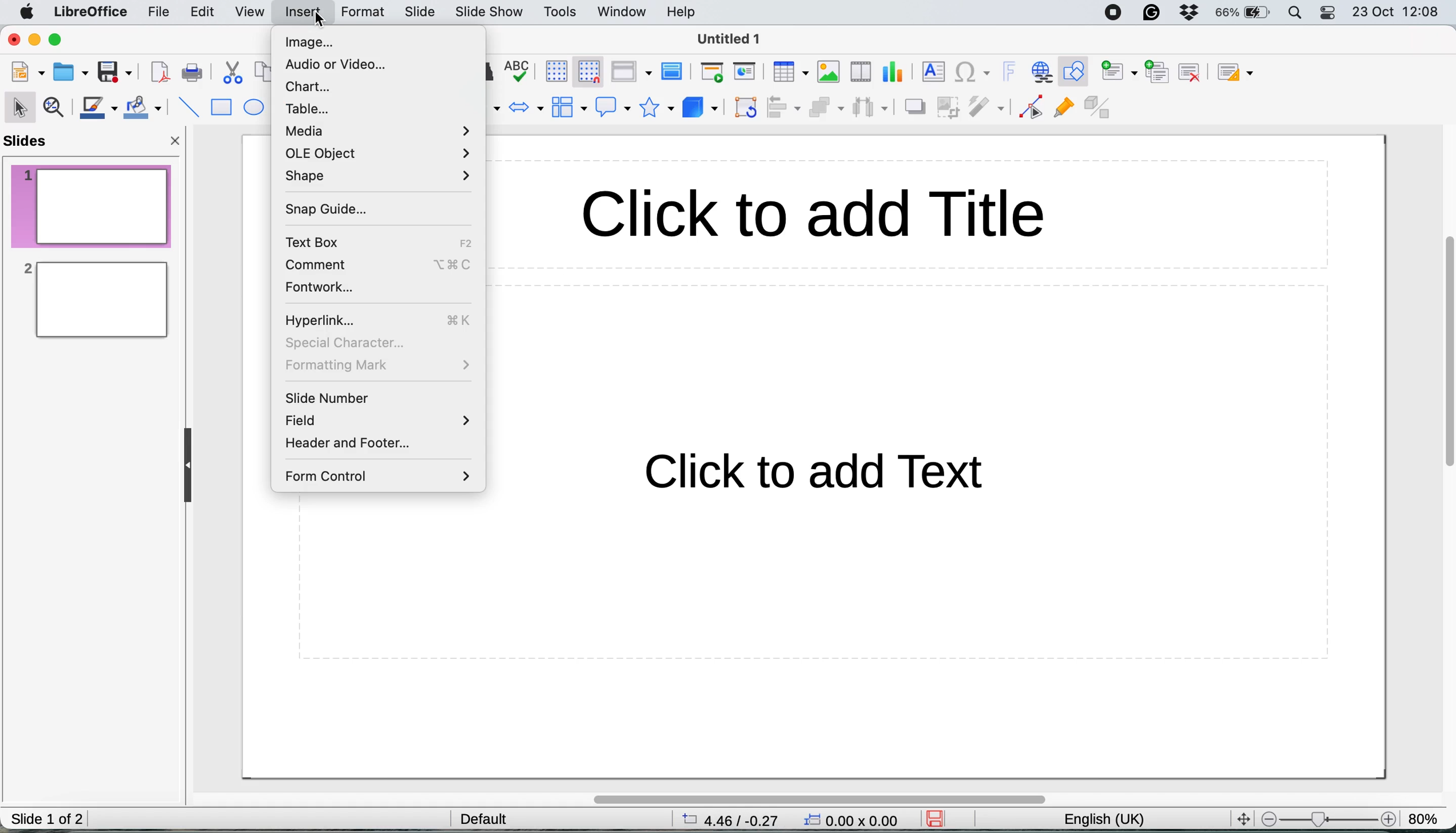  Describe the element at coordinates (1009, 72) in the screenshot. I see `insert fontwork text` at that location.